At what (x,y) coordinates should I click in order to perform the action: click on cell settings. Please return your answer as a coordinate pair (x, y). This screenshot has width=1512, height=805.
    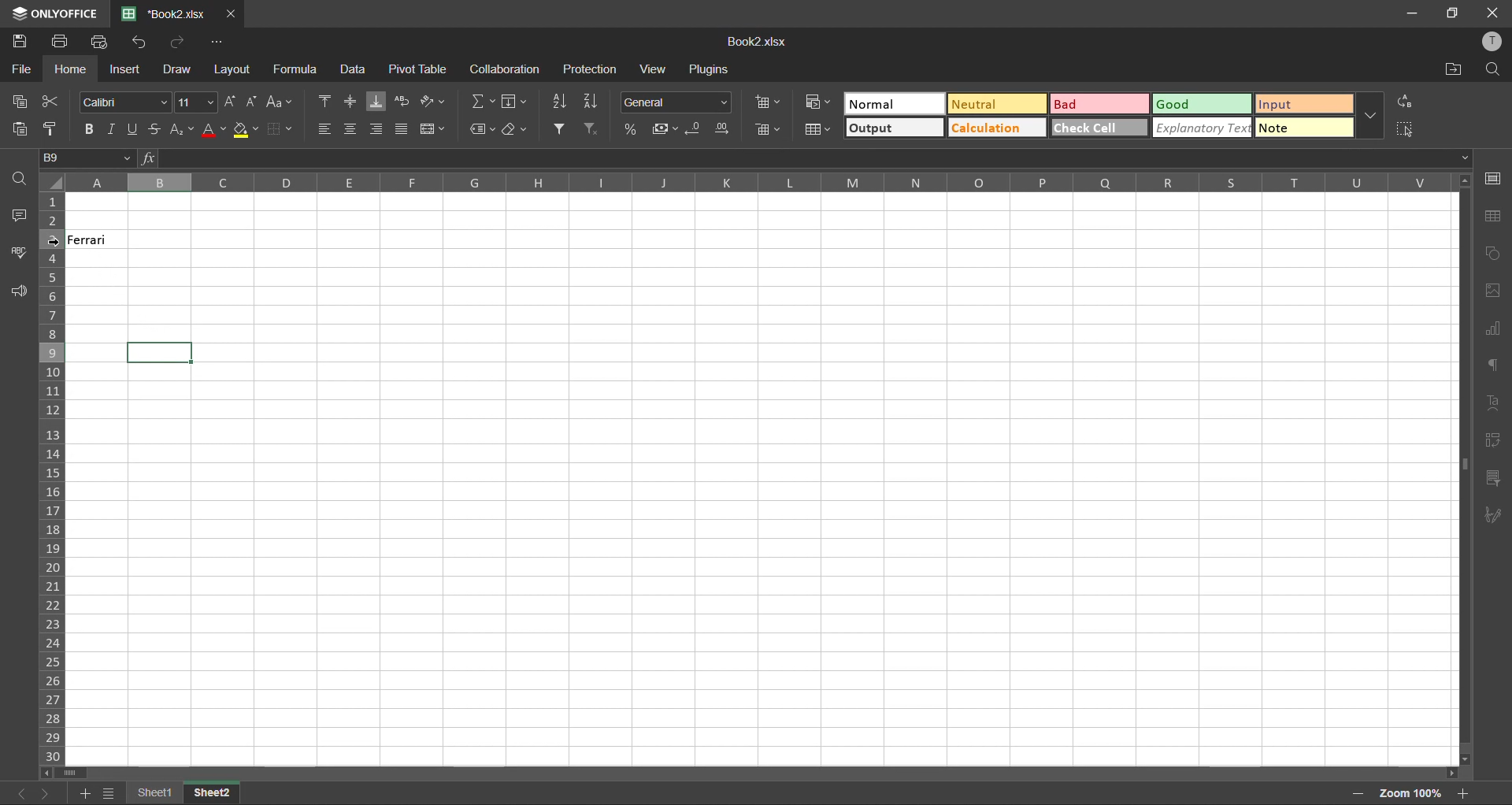
    Looking at the image, I should click on (1497, 178).